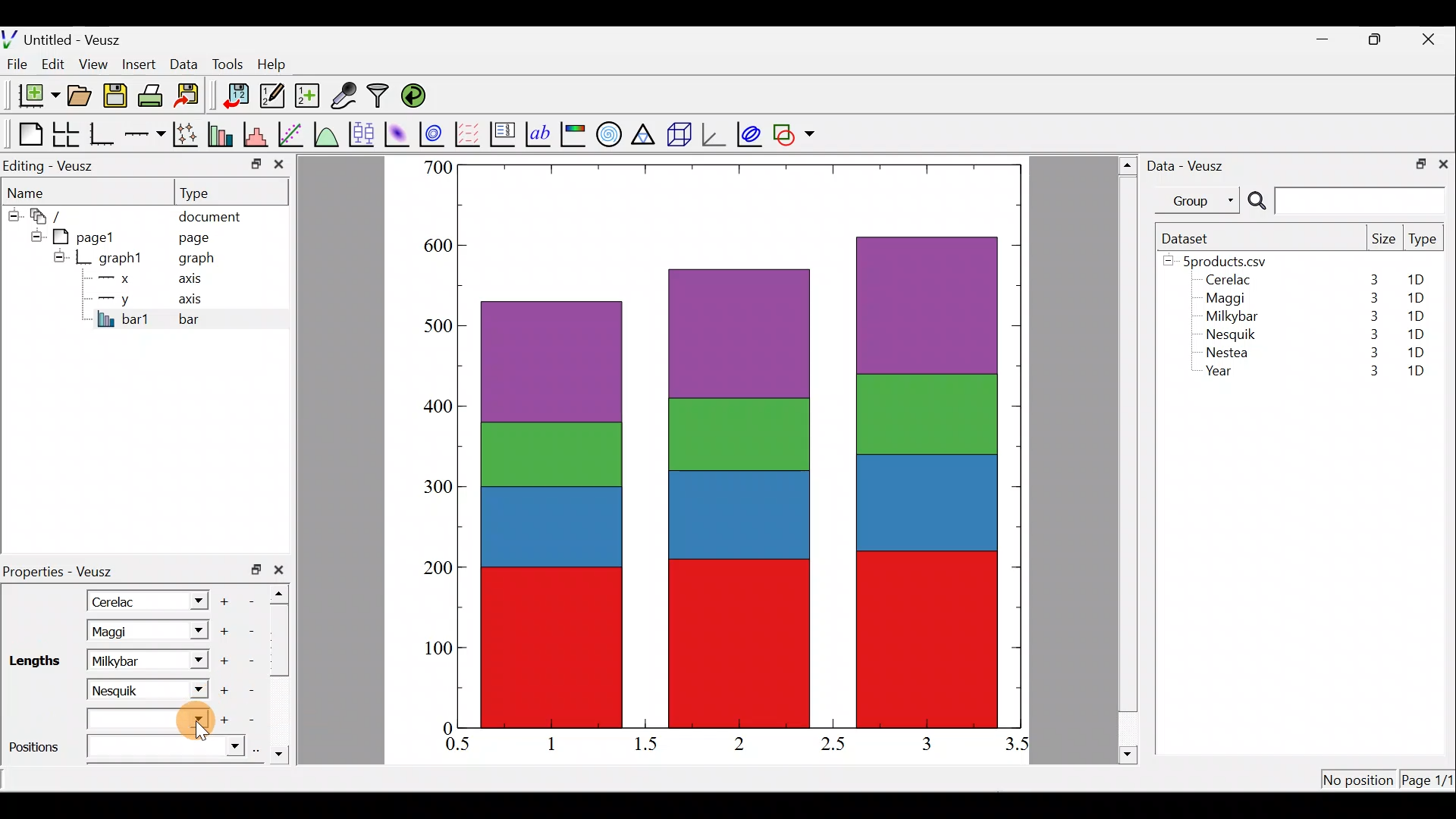 Image resolution: width=1456 pixels, height=819 pixels. I want to click on document widget, so click(54, 214).